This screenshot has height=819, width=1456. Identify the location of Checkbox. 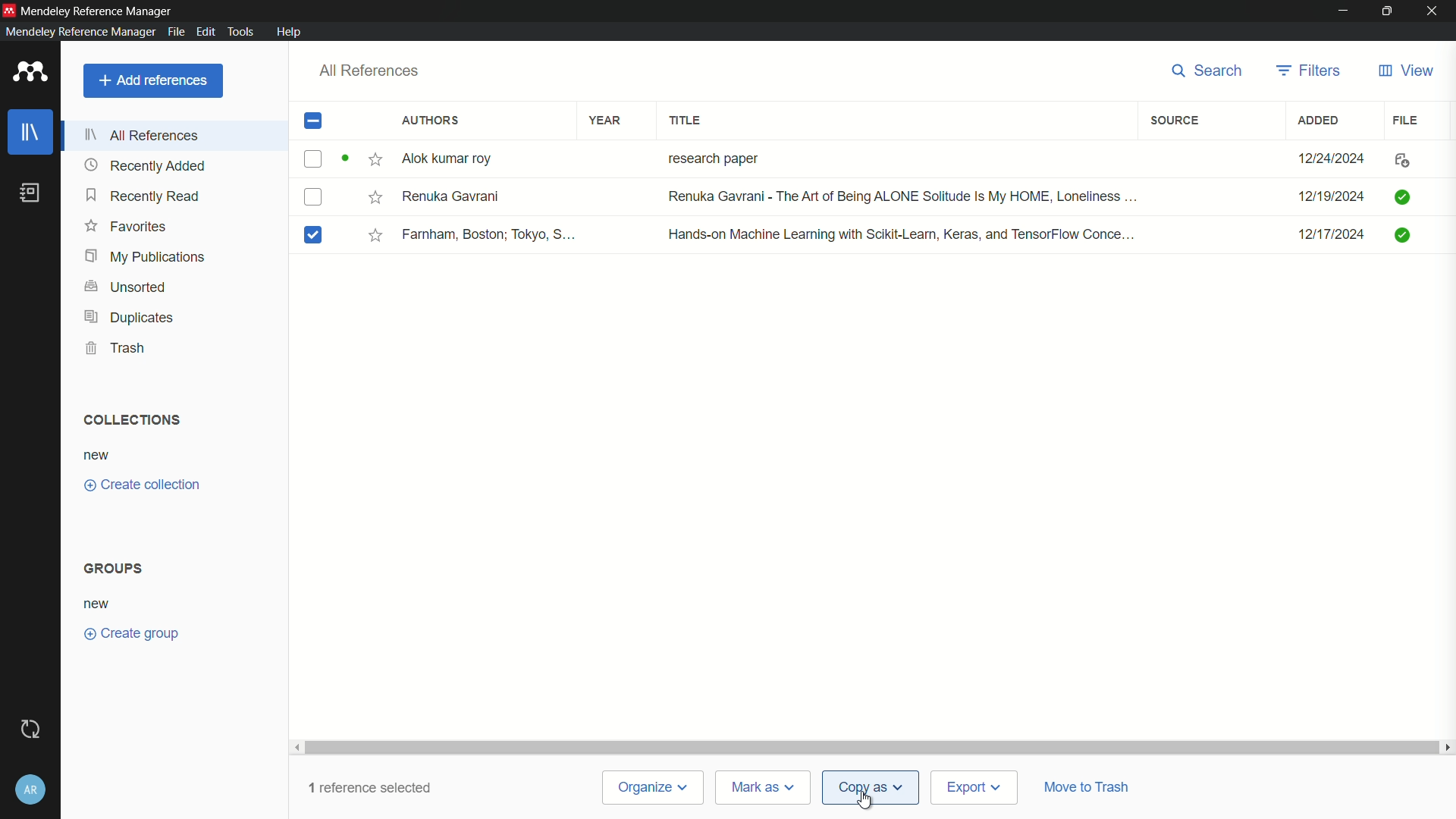
(318, 199).